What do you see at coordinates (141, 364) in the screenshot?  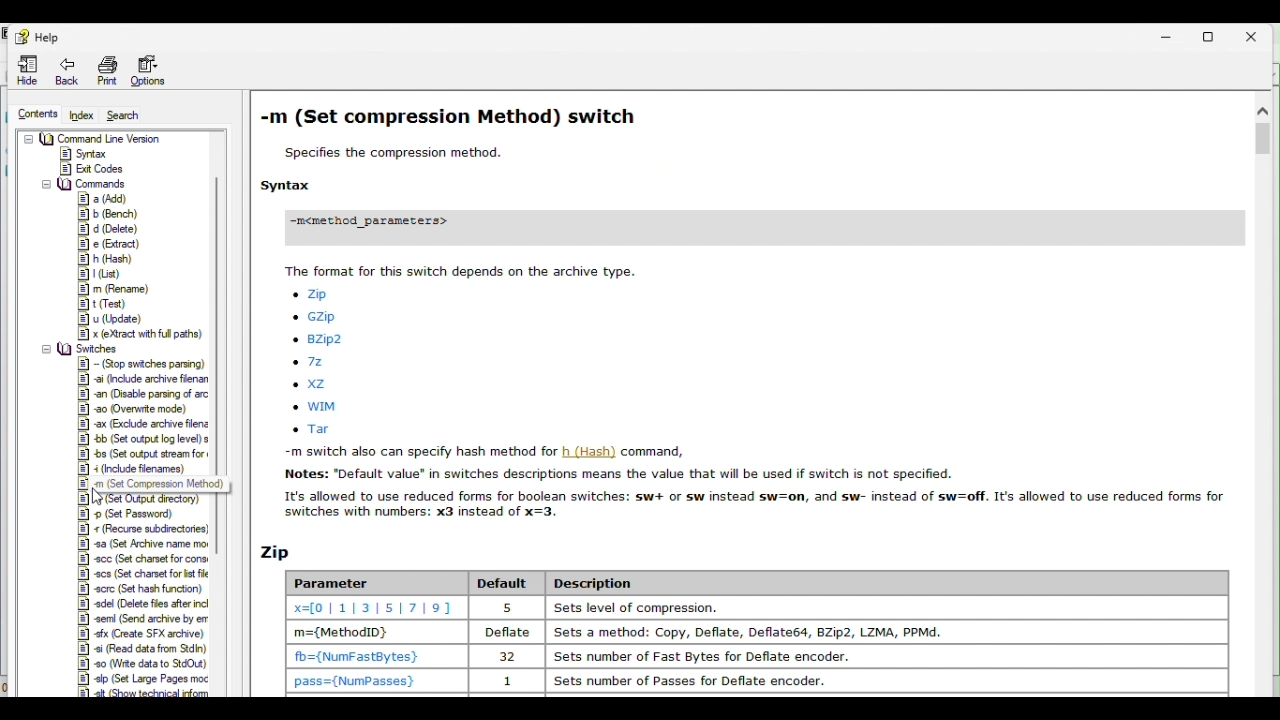 I see `stop parsing` at bounding box center [141, 364].